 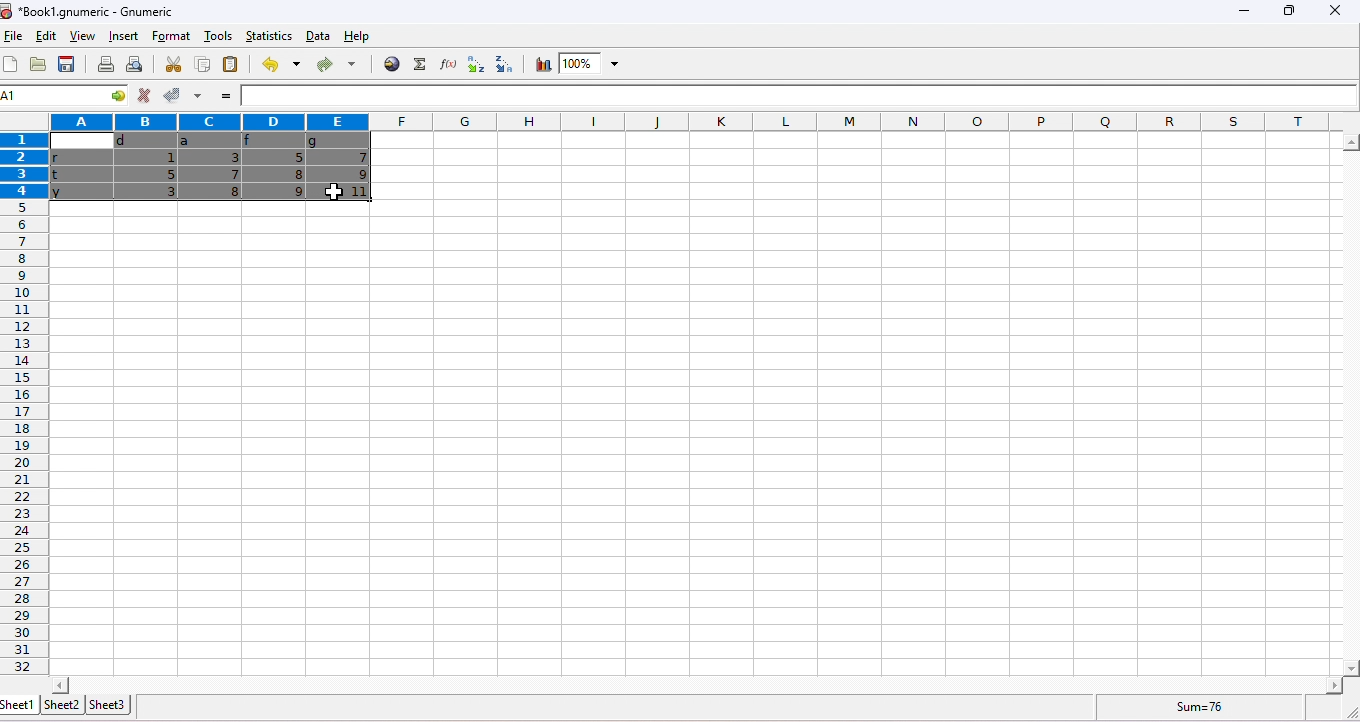 I want to click on maximize, so click(x=1286, y=11).